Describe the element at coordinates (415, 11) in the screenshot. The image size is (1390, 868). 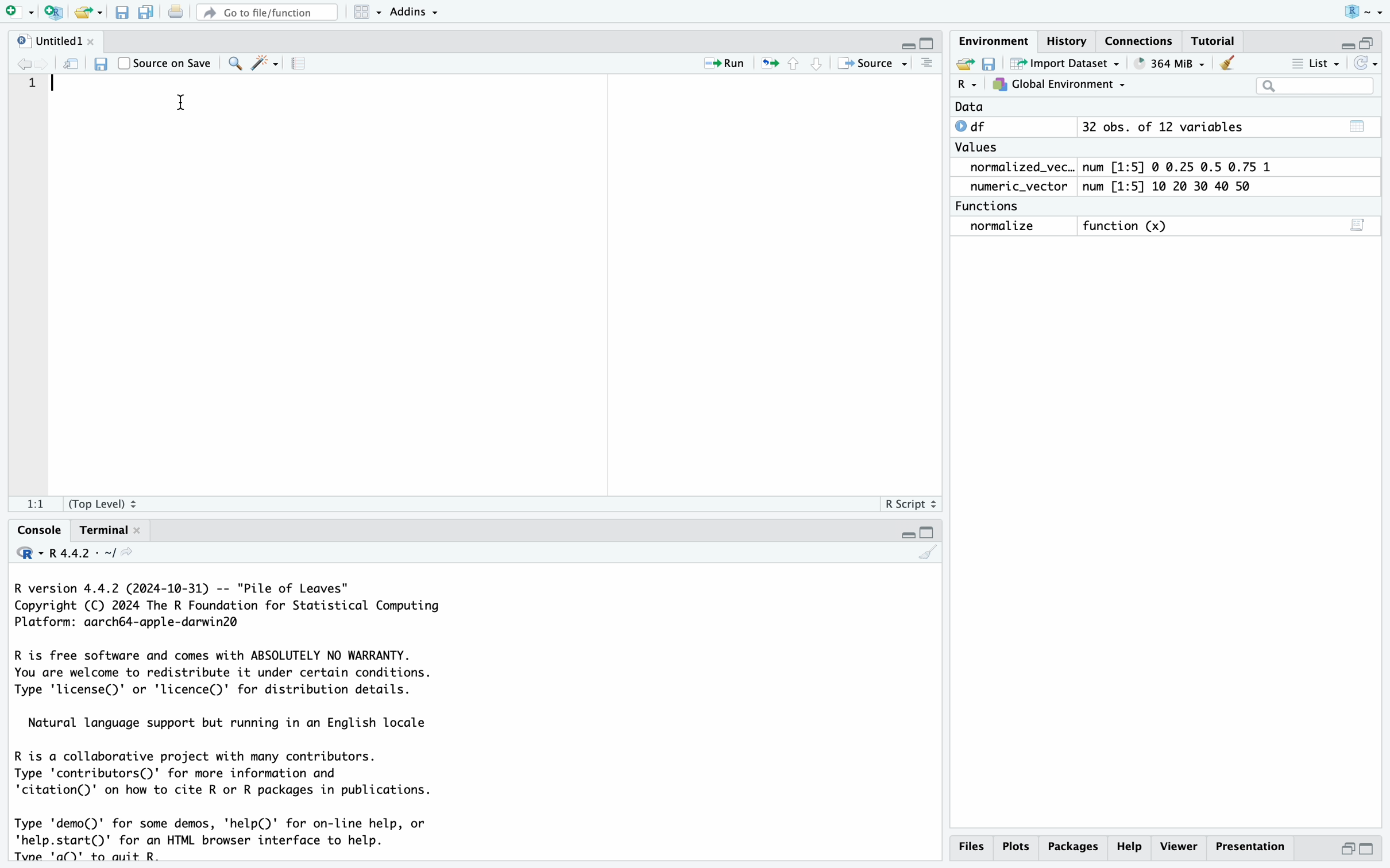
I see `Addins` at that location.